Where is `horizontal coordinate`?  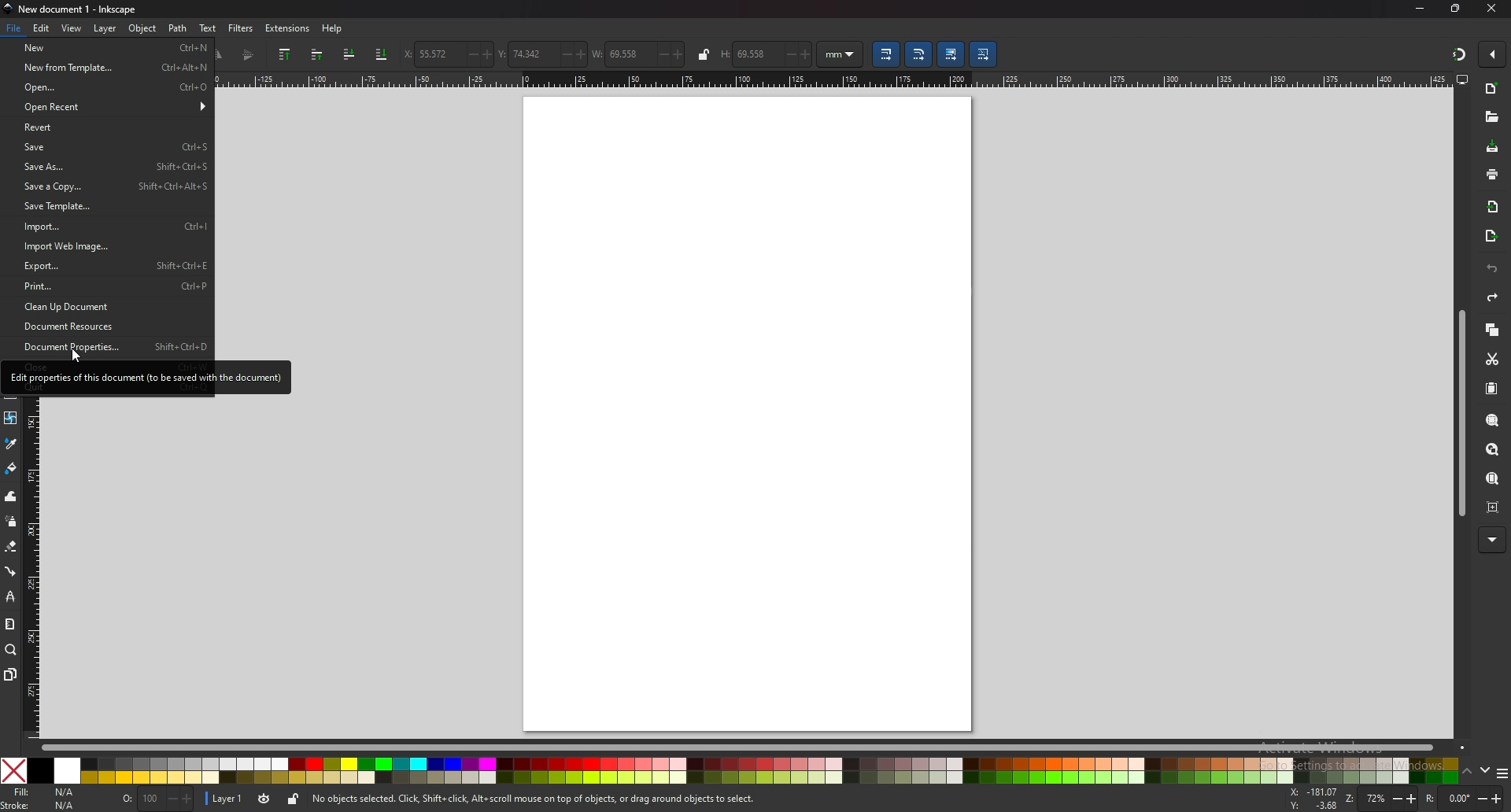 horizontal coordinate is located at coordinates (425, 55).